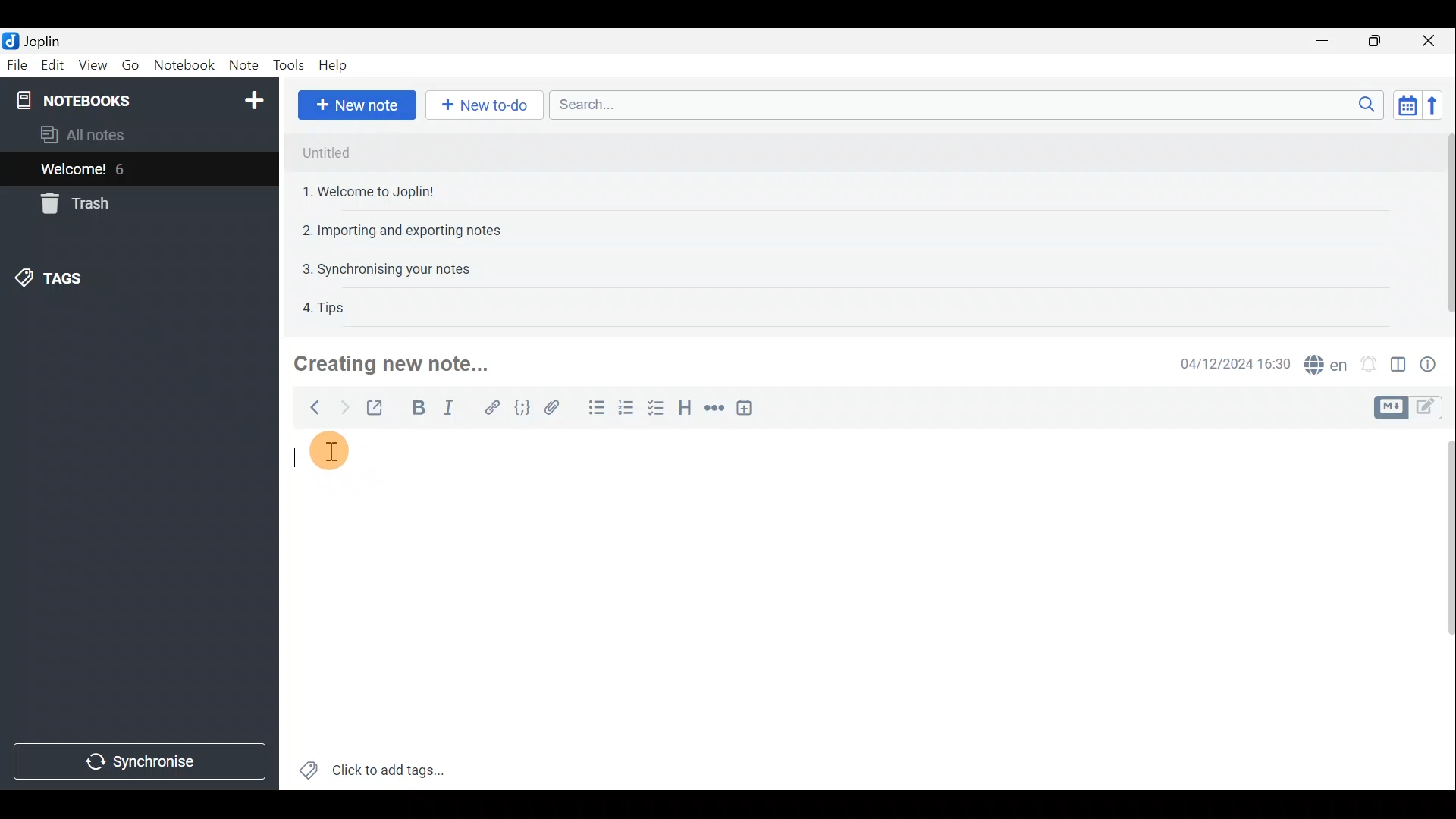 Image resolution: width=1456 pixels, height=819 pixels. Describe the element at coordinates (1429, 42) in the screenshot. I see `Close` at that location.